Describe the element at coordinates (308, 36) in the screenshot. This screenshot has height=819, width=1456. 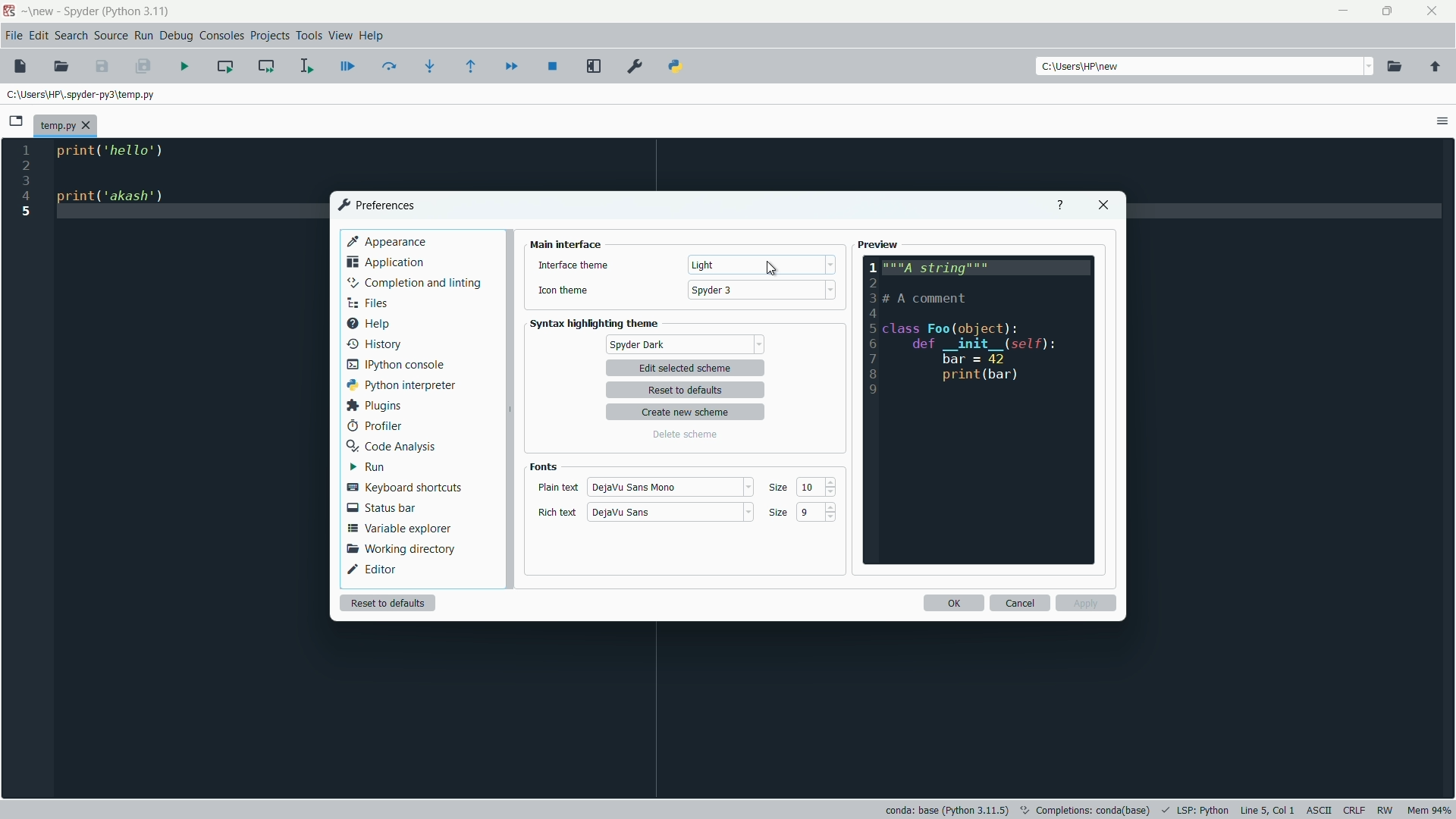
I see `tools menu` at that location.